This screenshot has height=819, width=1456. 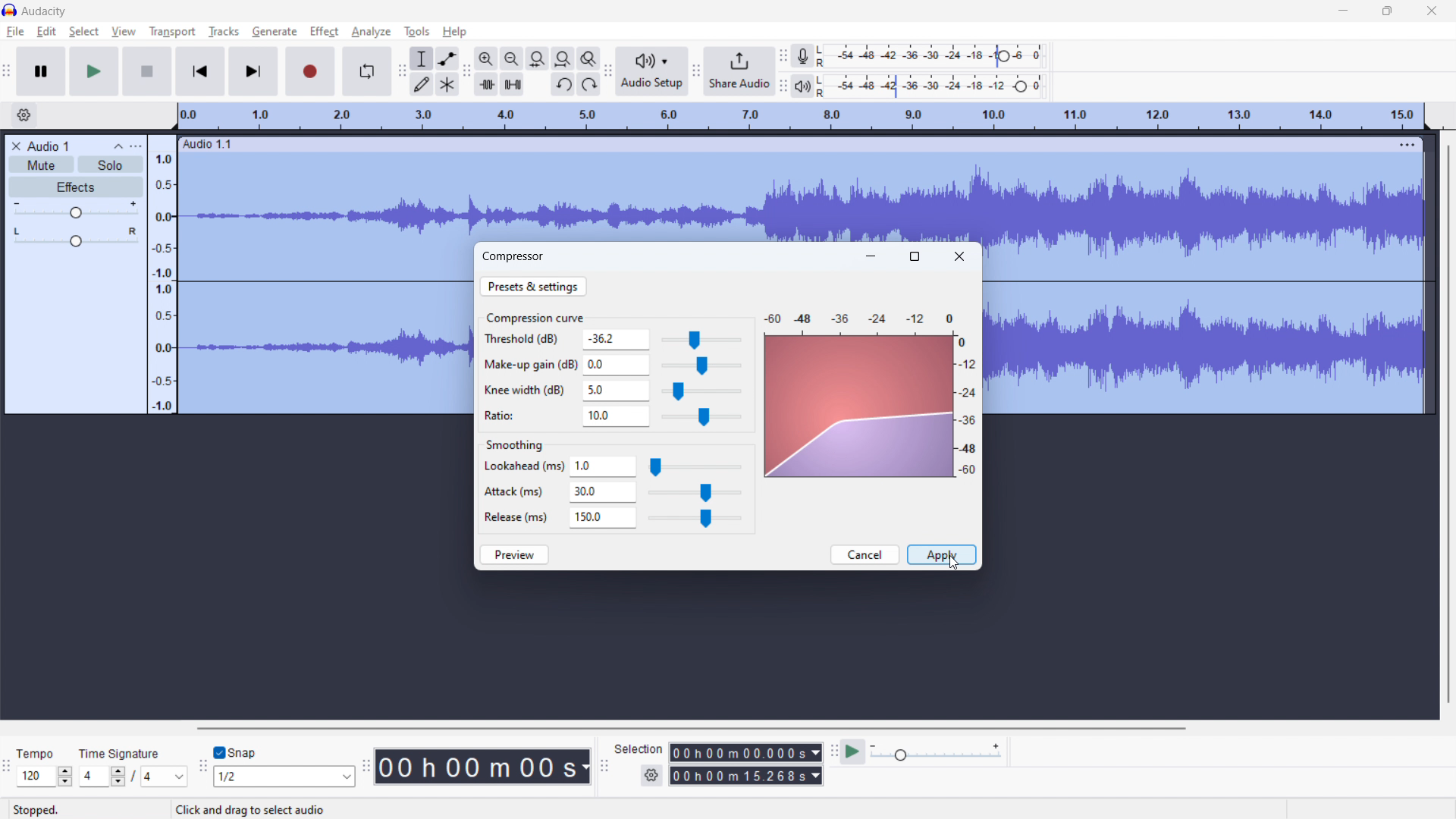 What do you see at coordinates (40, 749) in the screenshot?
I see `Tempo` at bounding box center [40, 749].